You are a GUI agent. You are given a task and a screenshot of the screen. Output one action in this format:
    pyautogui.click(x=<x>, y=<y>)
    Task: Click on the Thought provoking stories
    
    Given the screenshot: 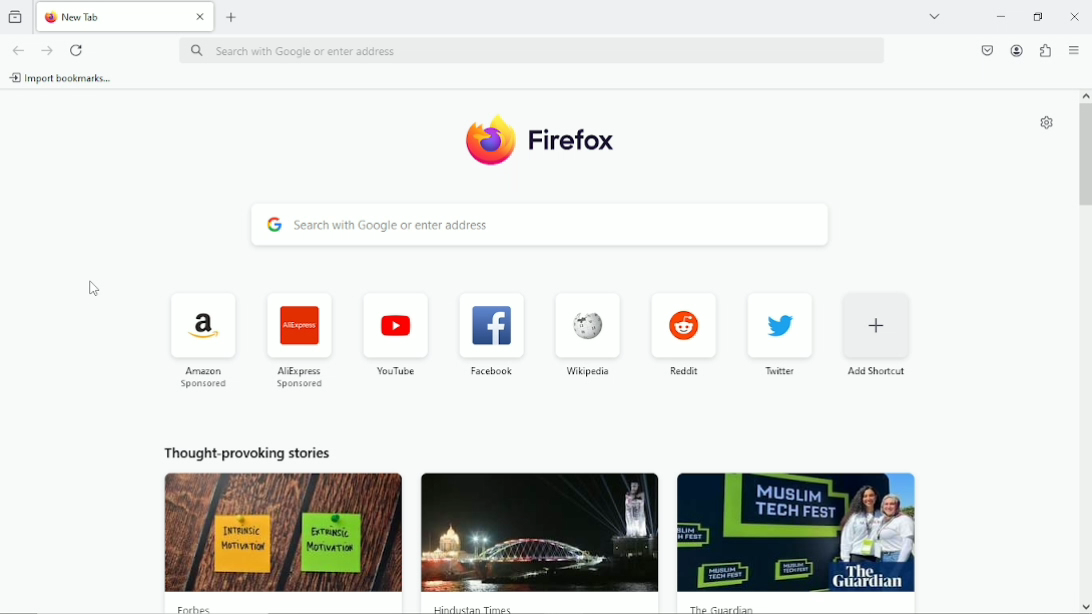 What is the action you would take?
    pyautogui.click(x=249, y=449)
    